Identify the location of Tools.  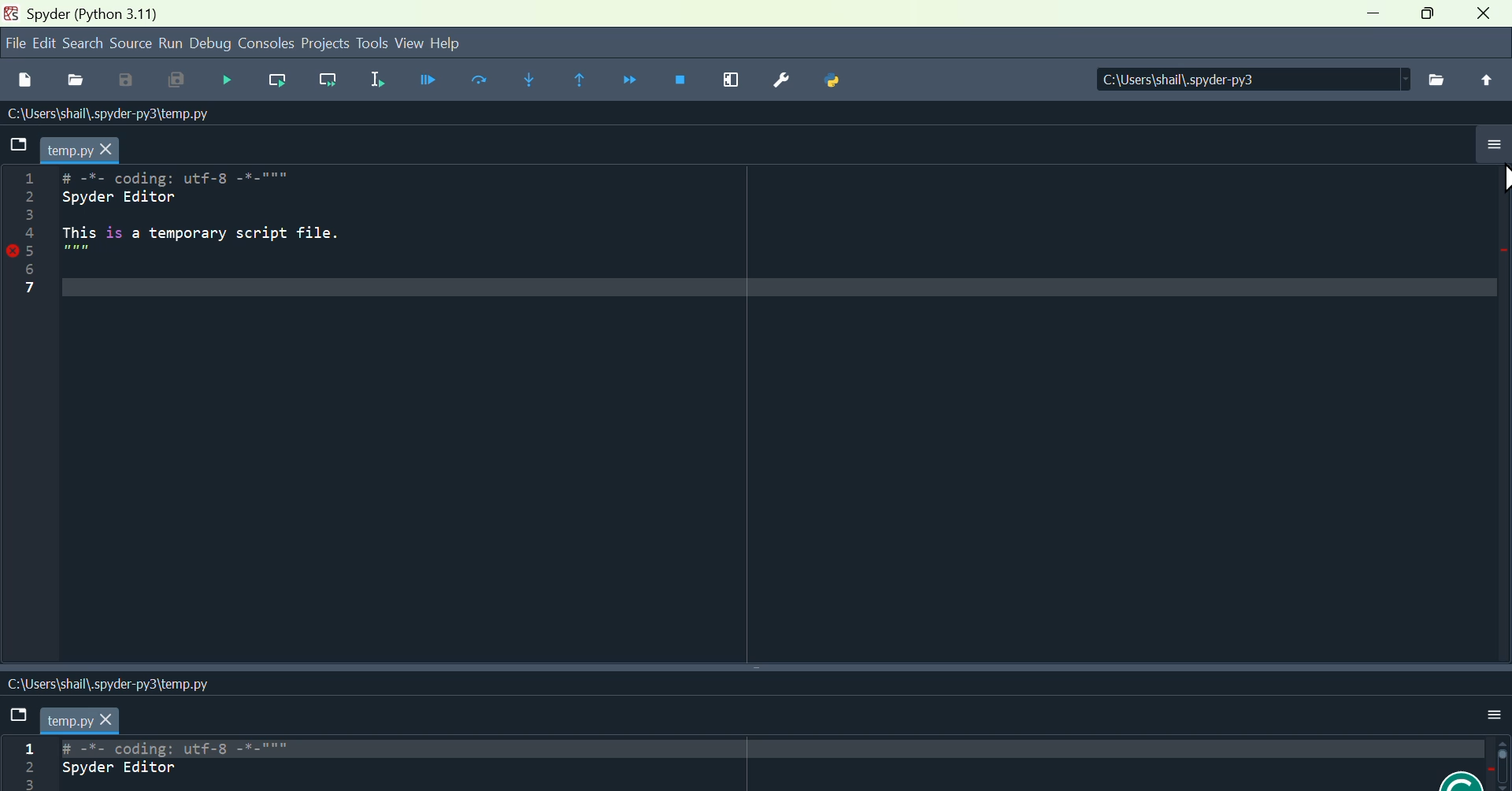
(371, 43).